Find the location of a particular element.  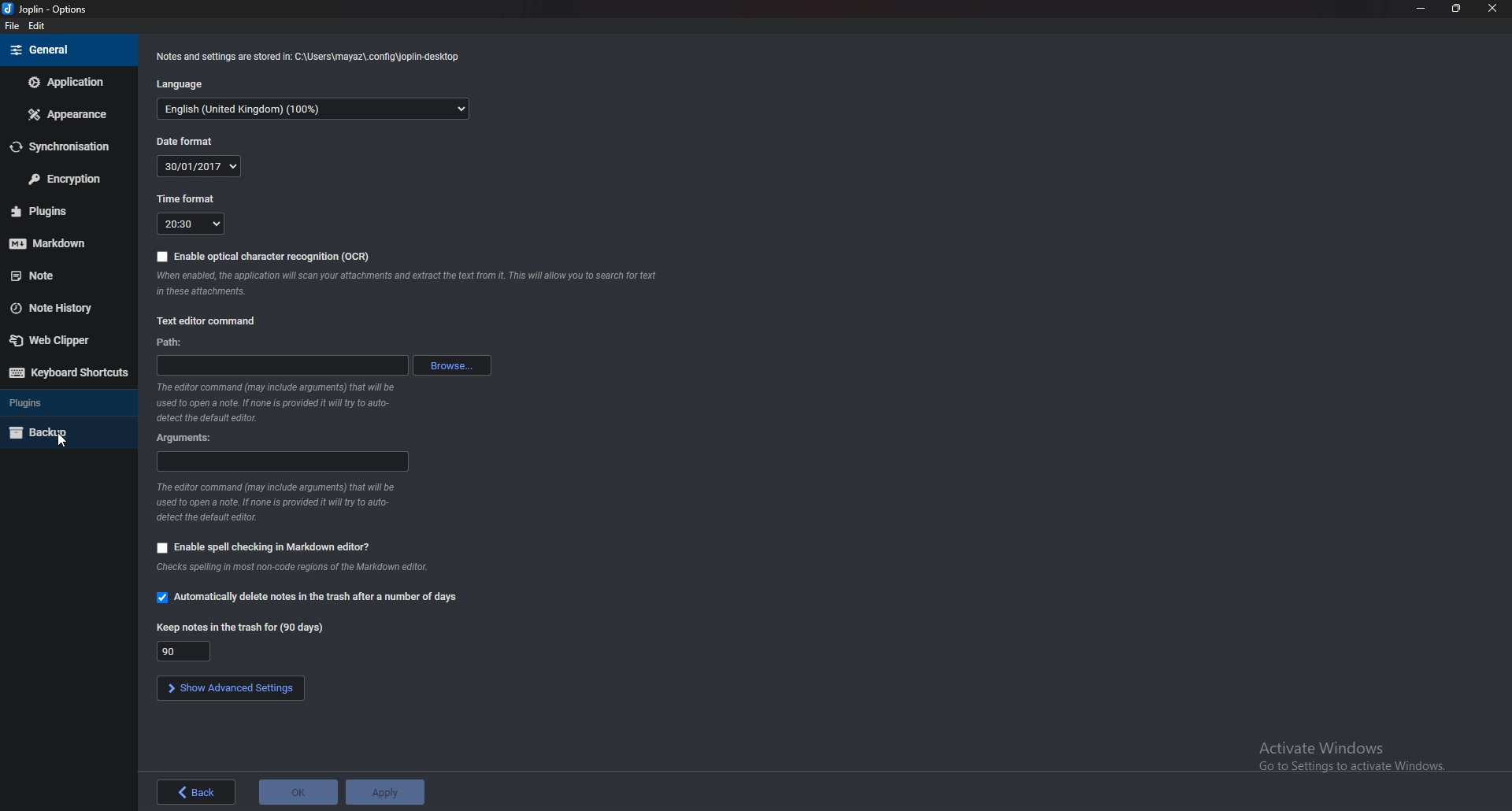

Note history is located at coordinates (61, 308).